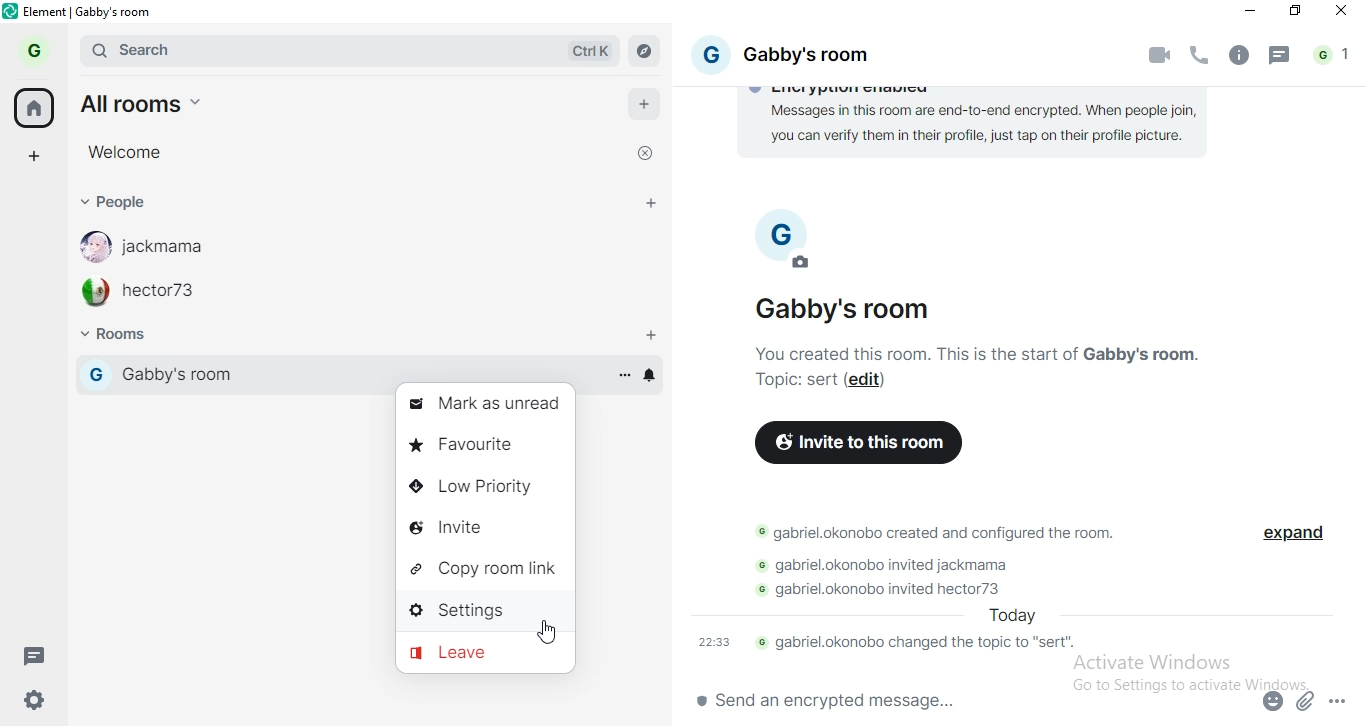 This screenshot has width=1366, height=726. Describe the element at coordinates (623, 374) in the screenshot. I see `options` at that location.